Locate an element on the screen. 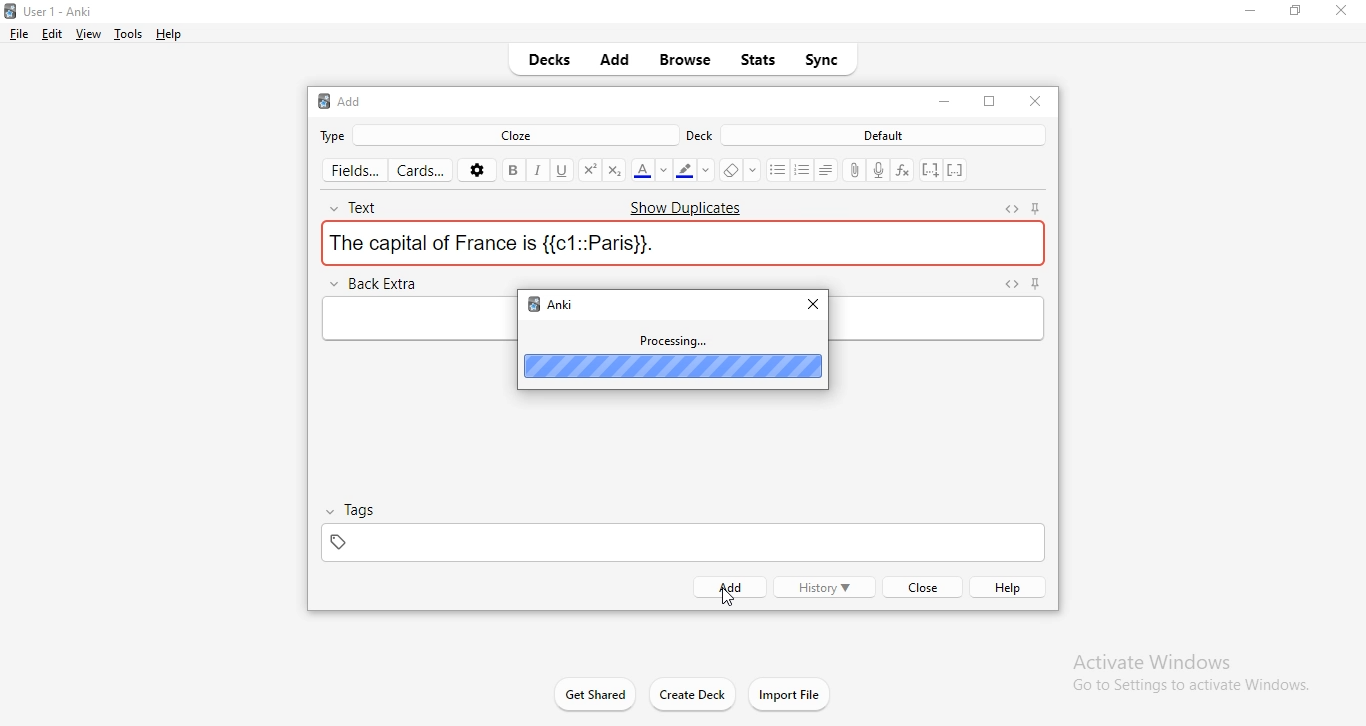 This screenshot has height=726, width=1366. type is located at coordinates (337, 135).